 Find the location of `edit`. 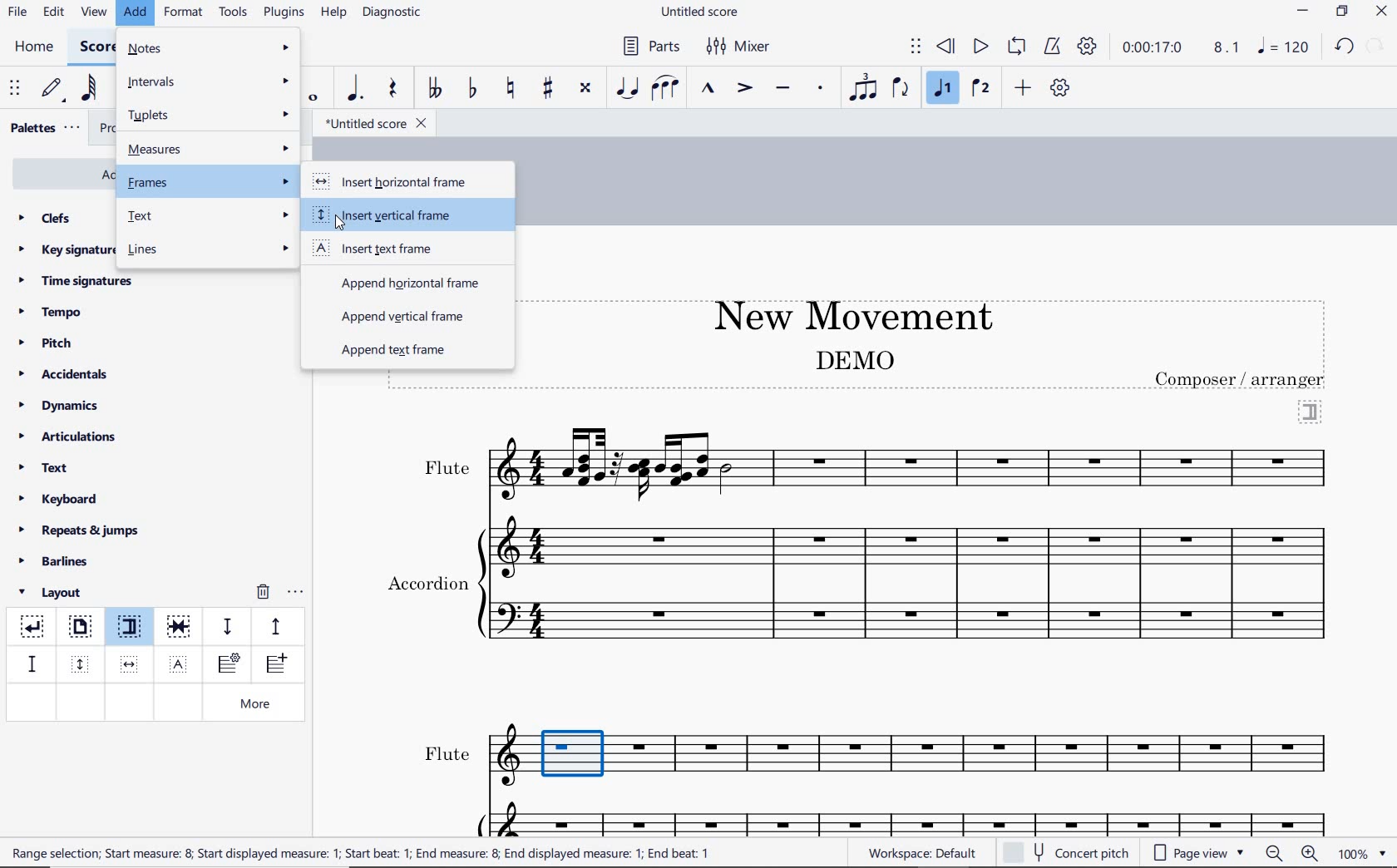

edit is located at coordinates (52, 12).